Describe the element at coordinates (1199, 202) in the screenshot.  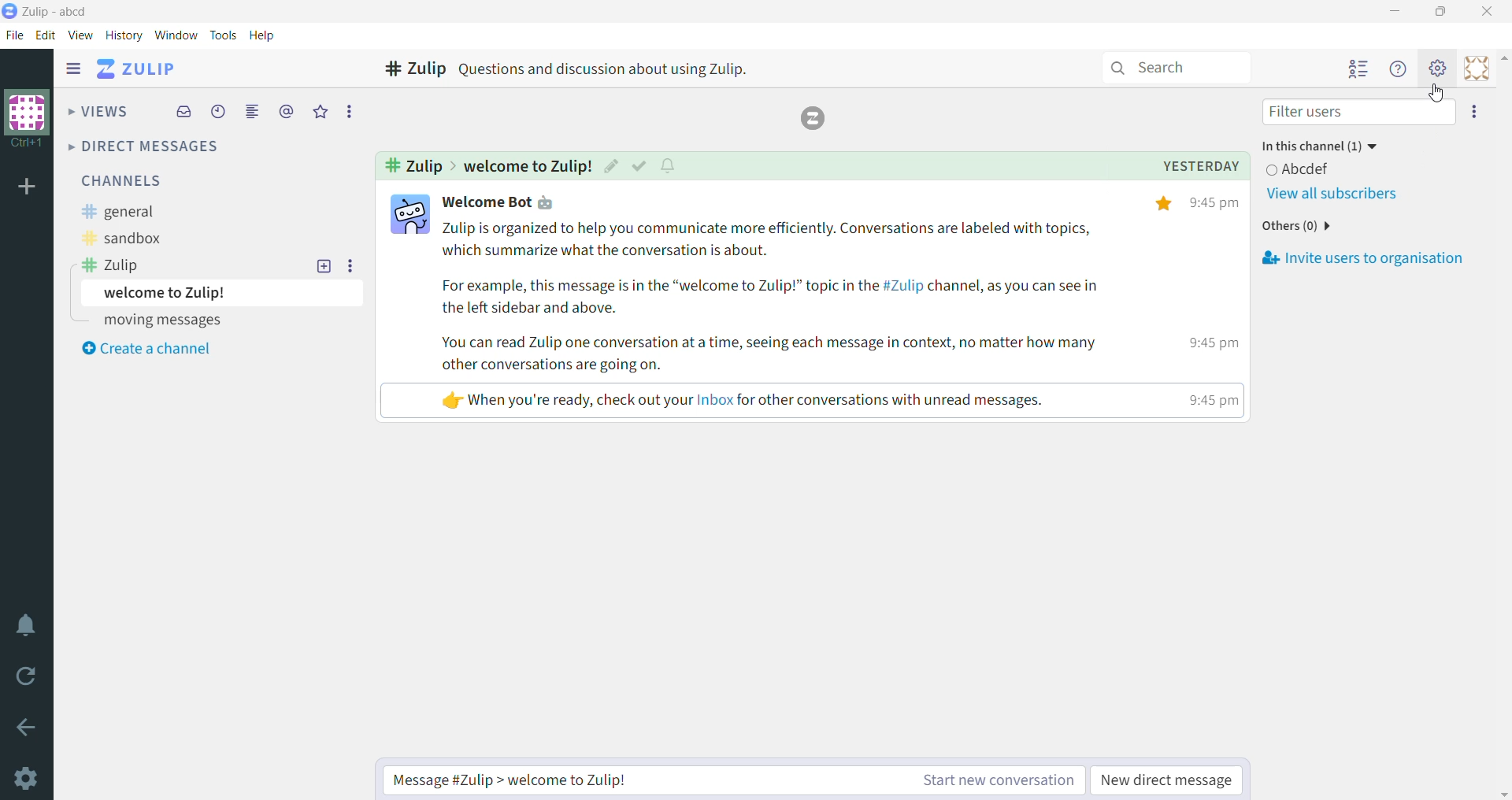
I see `% 9:45pm` at that location.